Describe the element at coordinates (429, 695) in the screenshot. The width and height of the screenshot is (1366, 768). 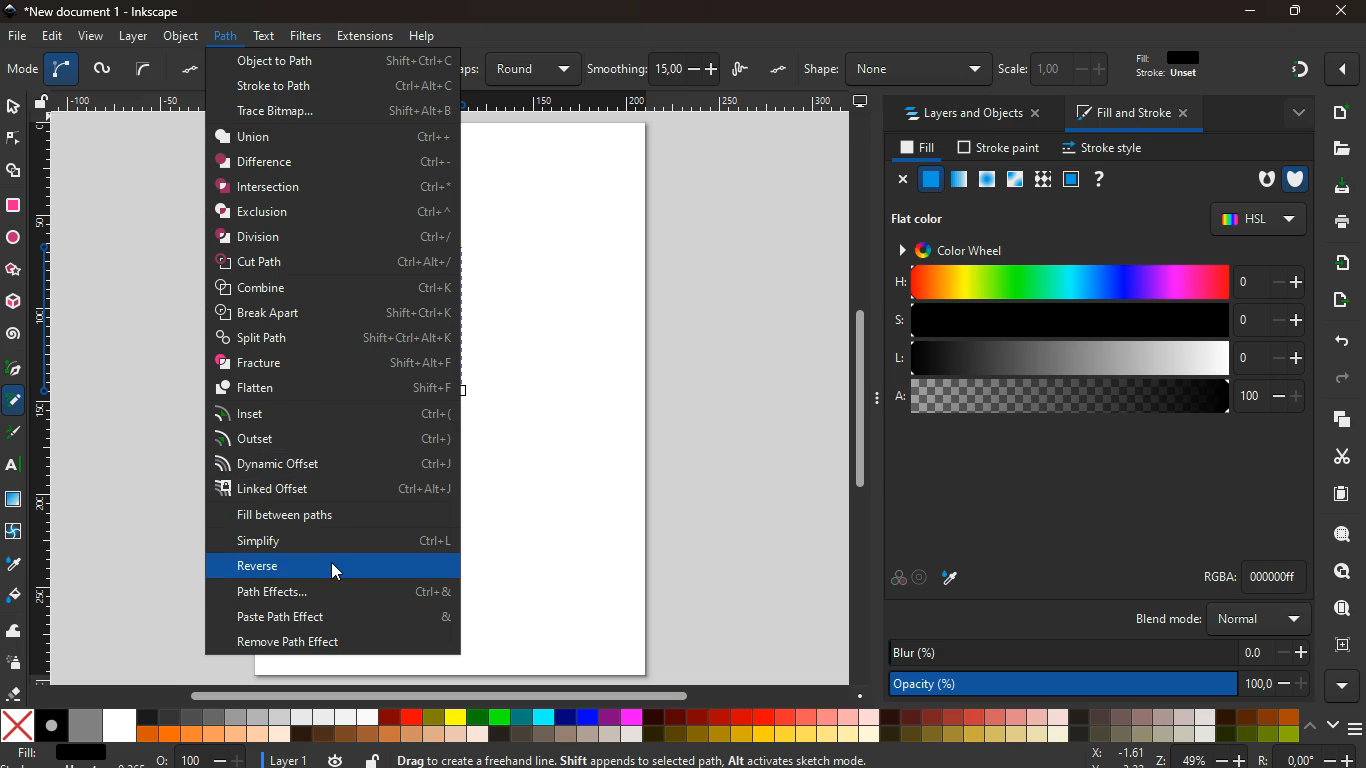
I see `Horizontal scroll bar` at that location.